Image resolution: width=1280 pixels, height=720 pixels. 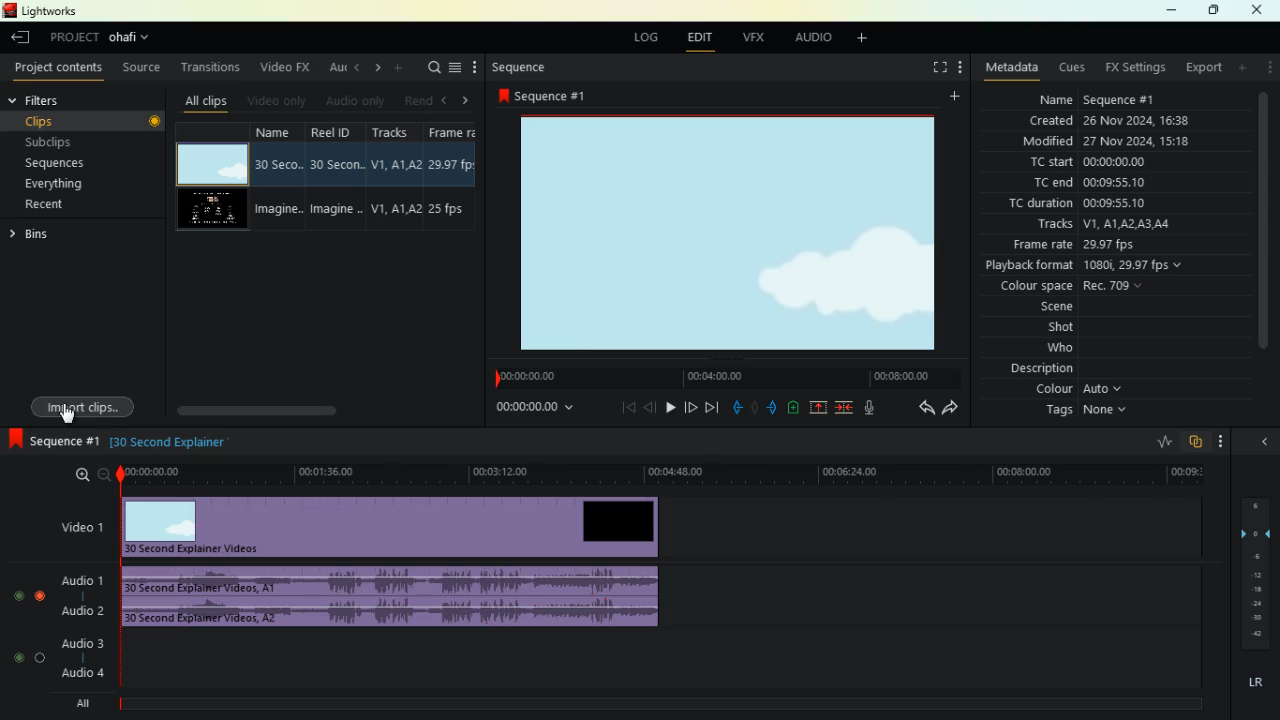 I want to click on more, so click(x=1221, y=441).